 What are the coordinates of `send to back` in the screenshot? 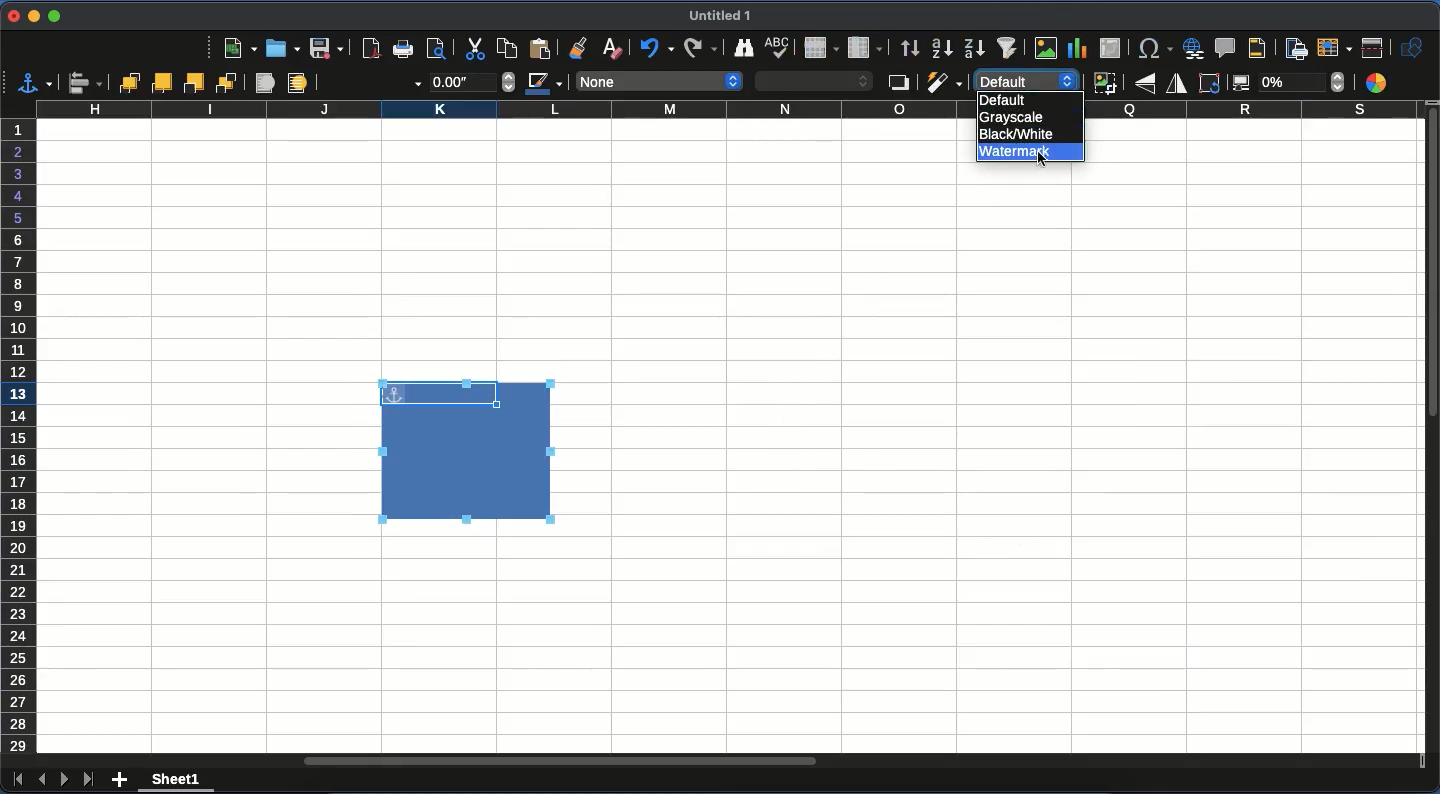 It's located at (228, 83).